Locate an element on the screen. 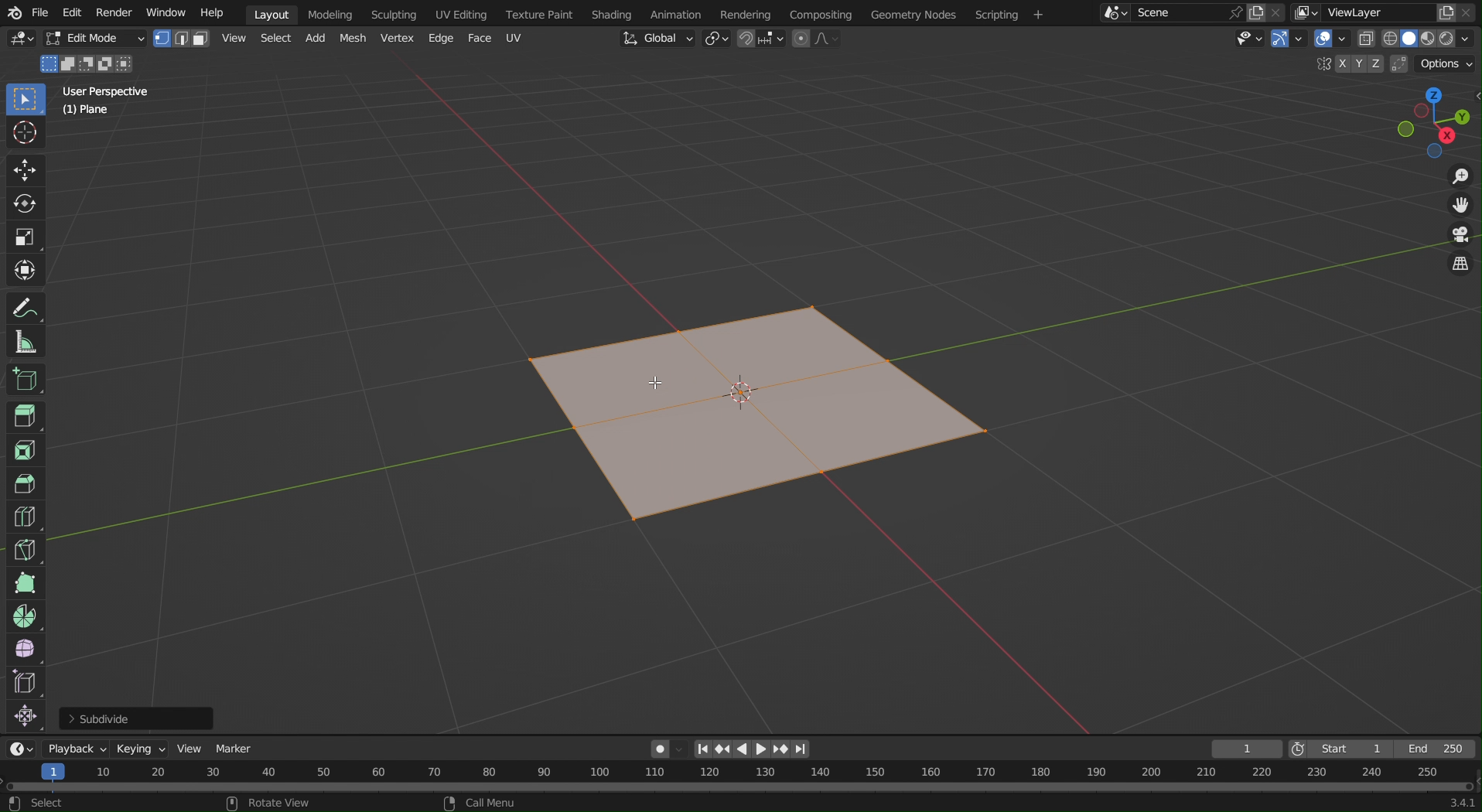  more scenes is located at coordinates (1114, 15).